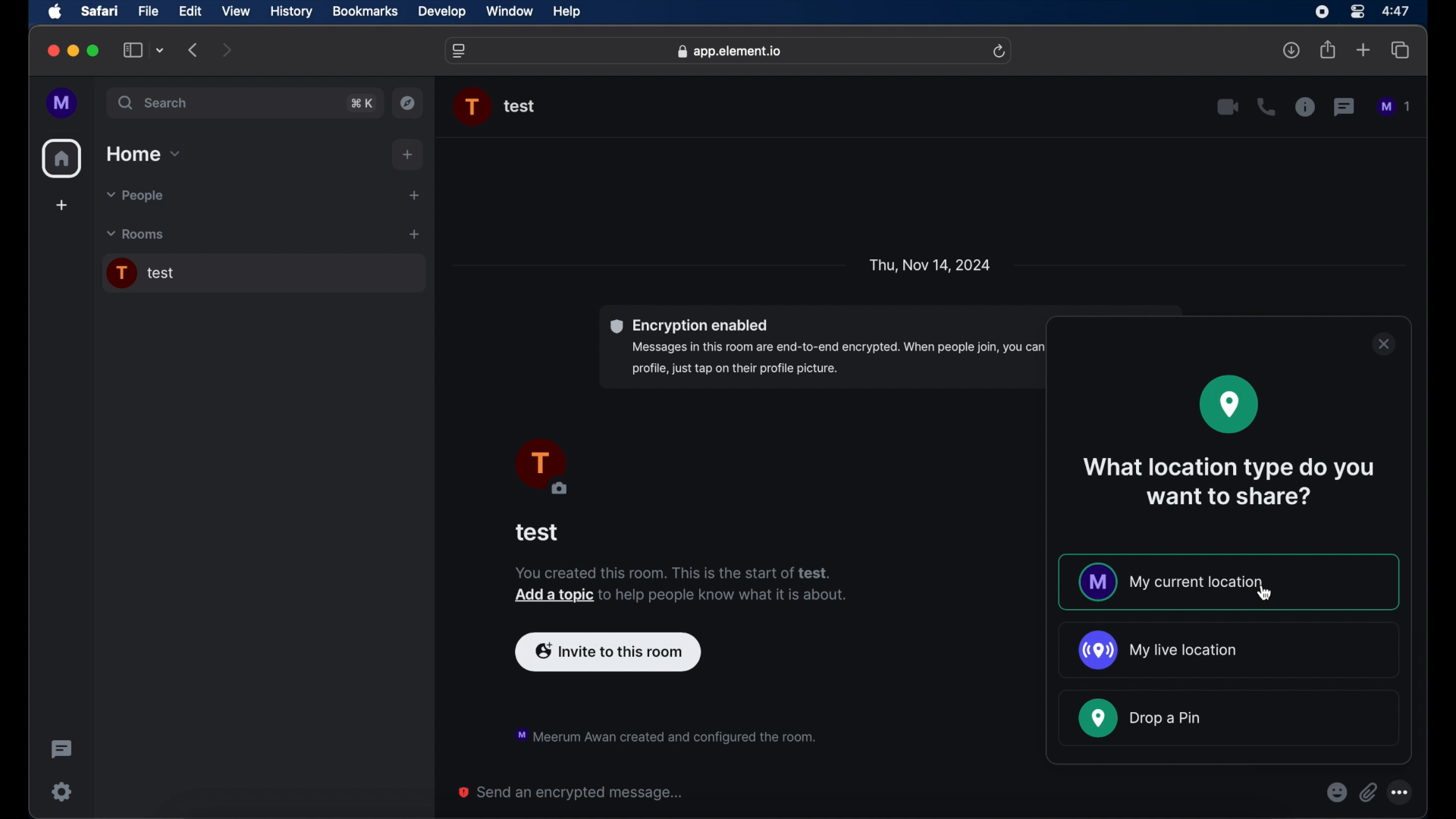 This screenshot has height=819, width=1456. What do you see at coordinates (94, 51) in the screenshot?
I see `maximize` at bounding box center [94, 51].